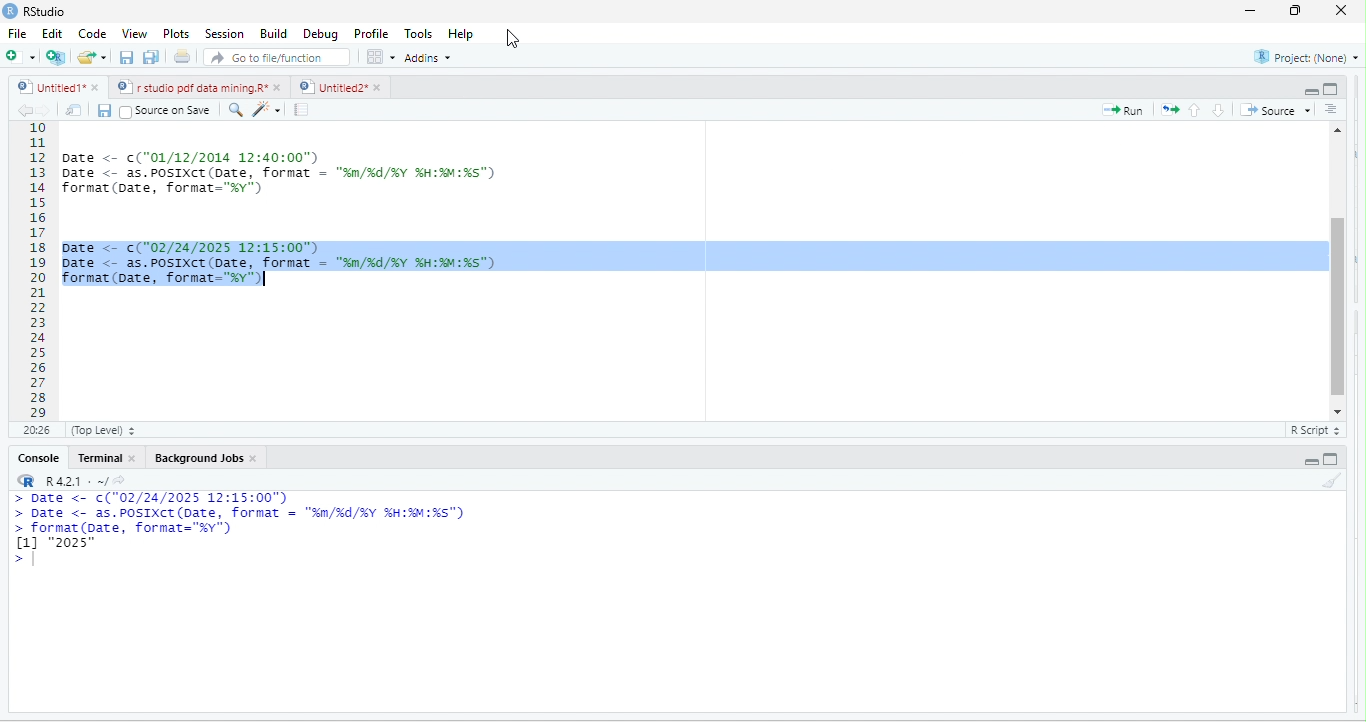  What do you see at coordinates (76, 110) in the screenshot?
I see `show in new window` at bounding box center [76, 110].